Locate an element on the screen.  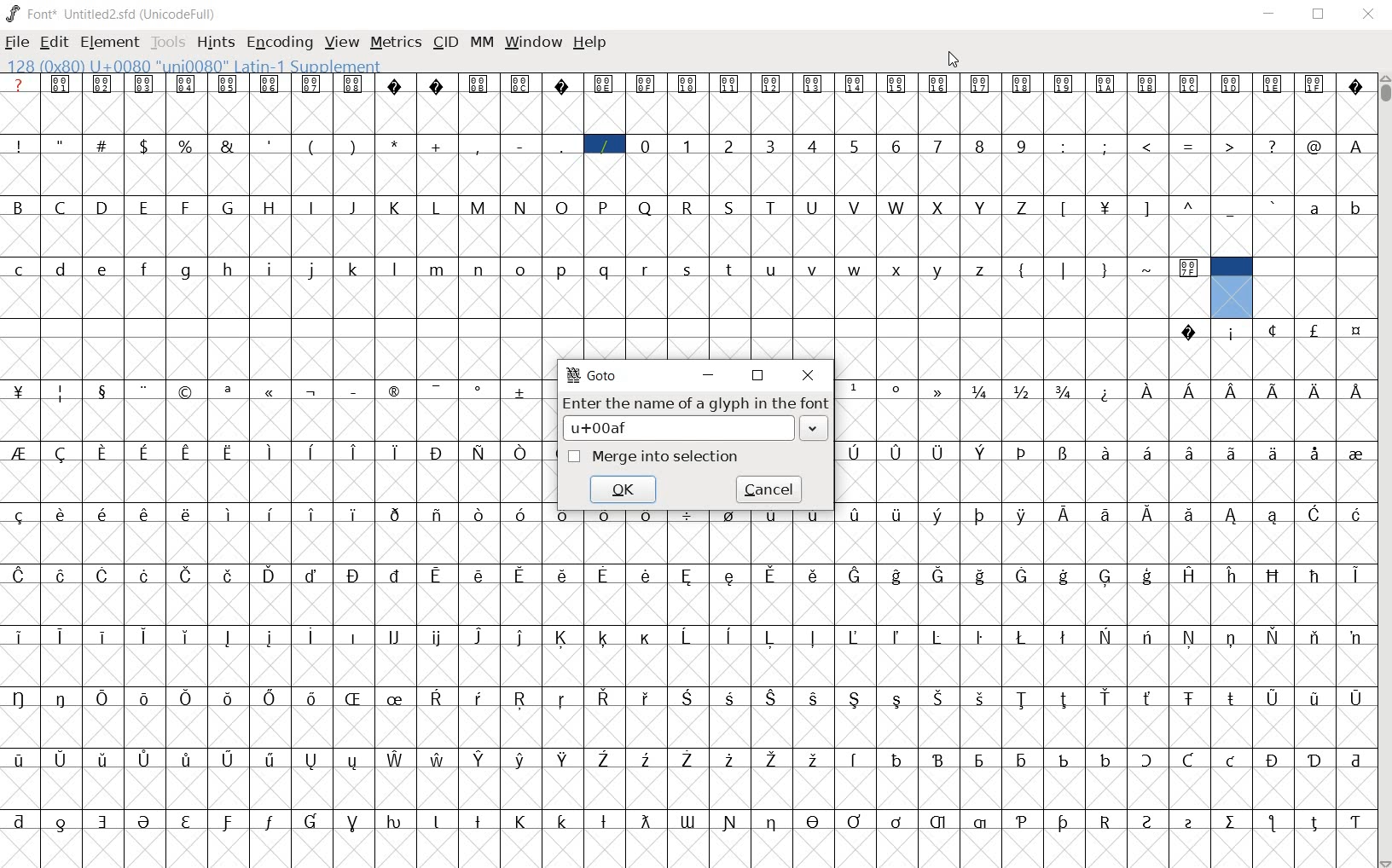
Symbol is located at coordinates (146, 515).